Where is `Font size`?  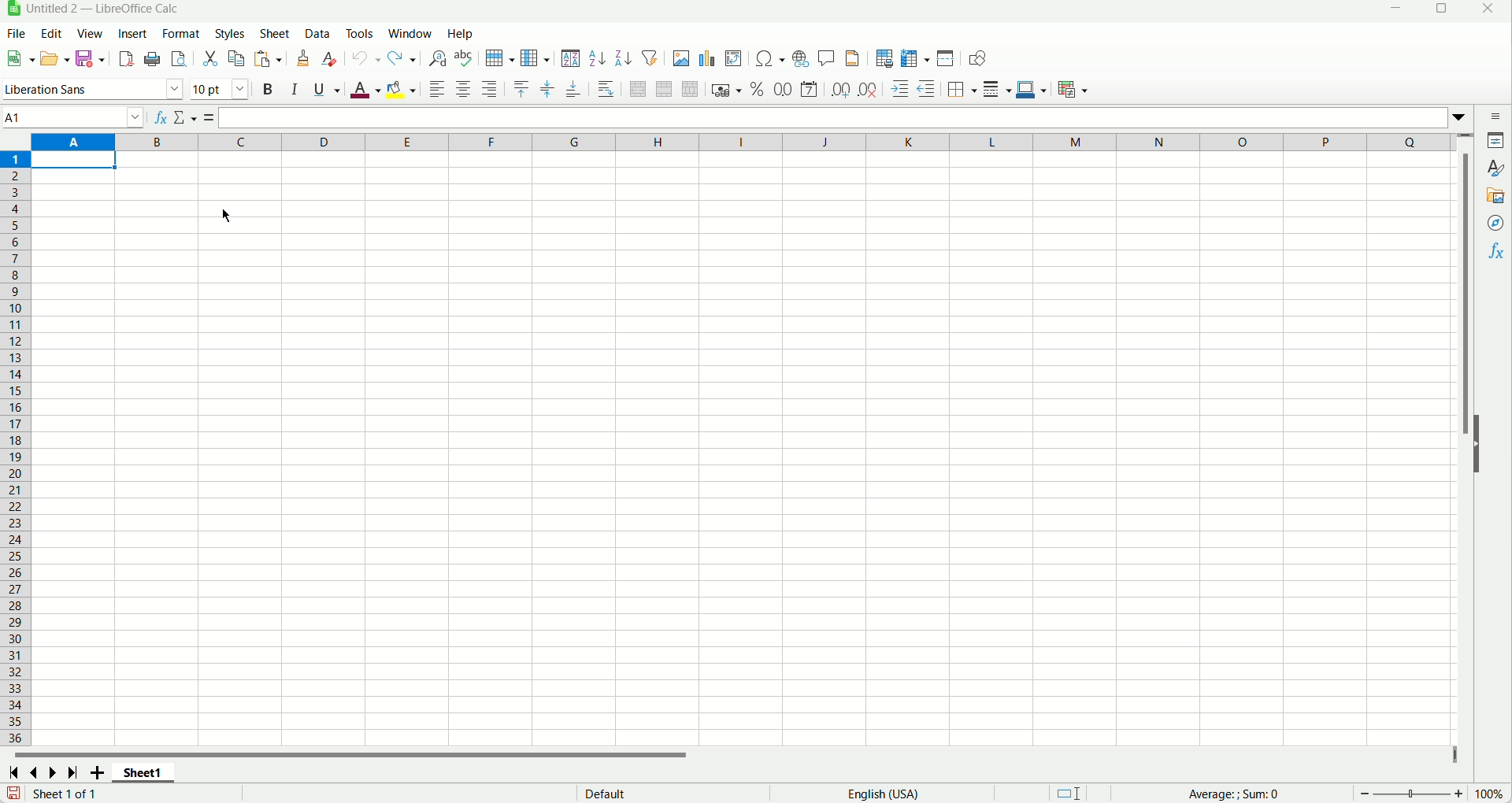 Font size is located at coordinates (220, 89).